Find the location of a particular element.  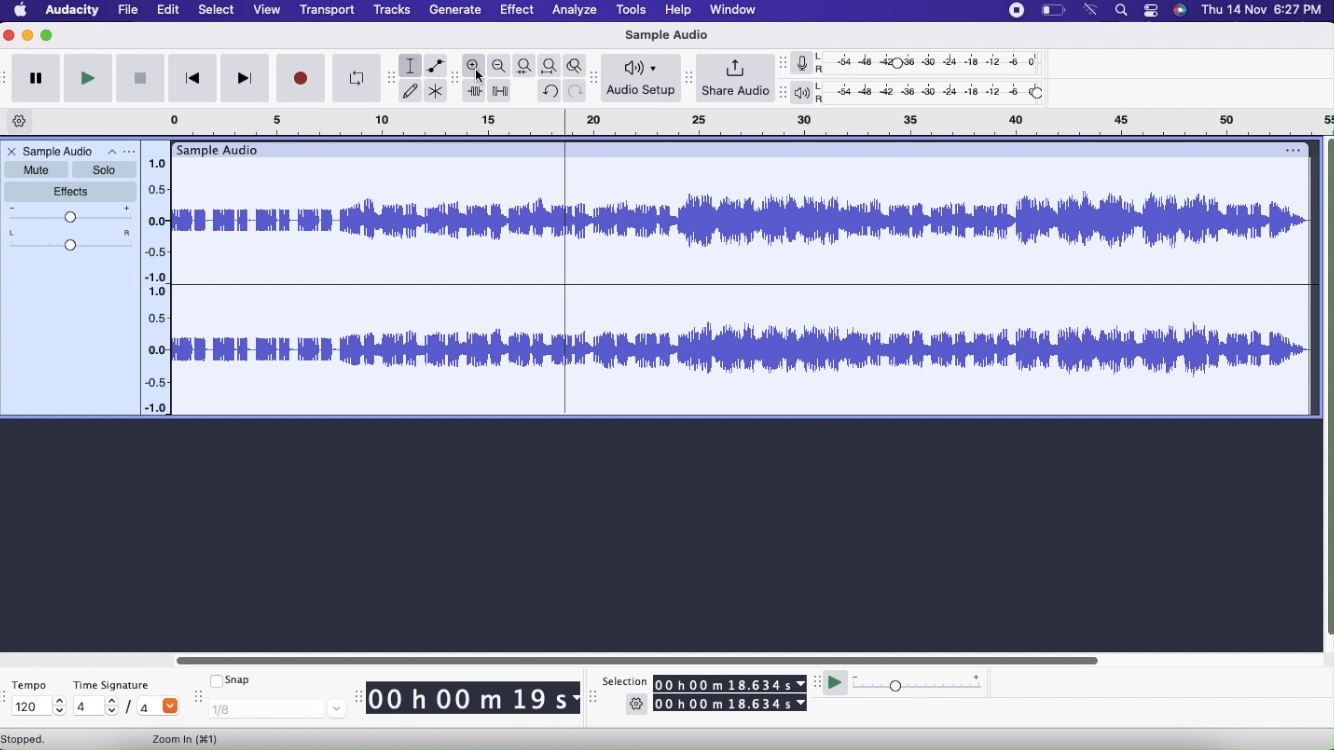

Gain Slider is located at coordinates (71, 215).